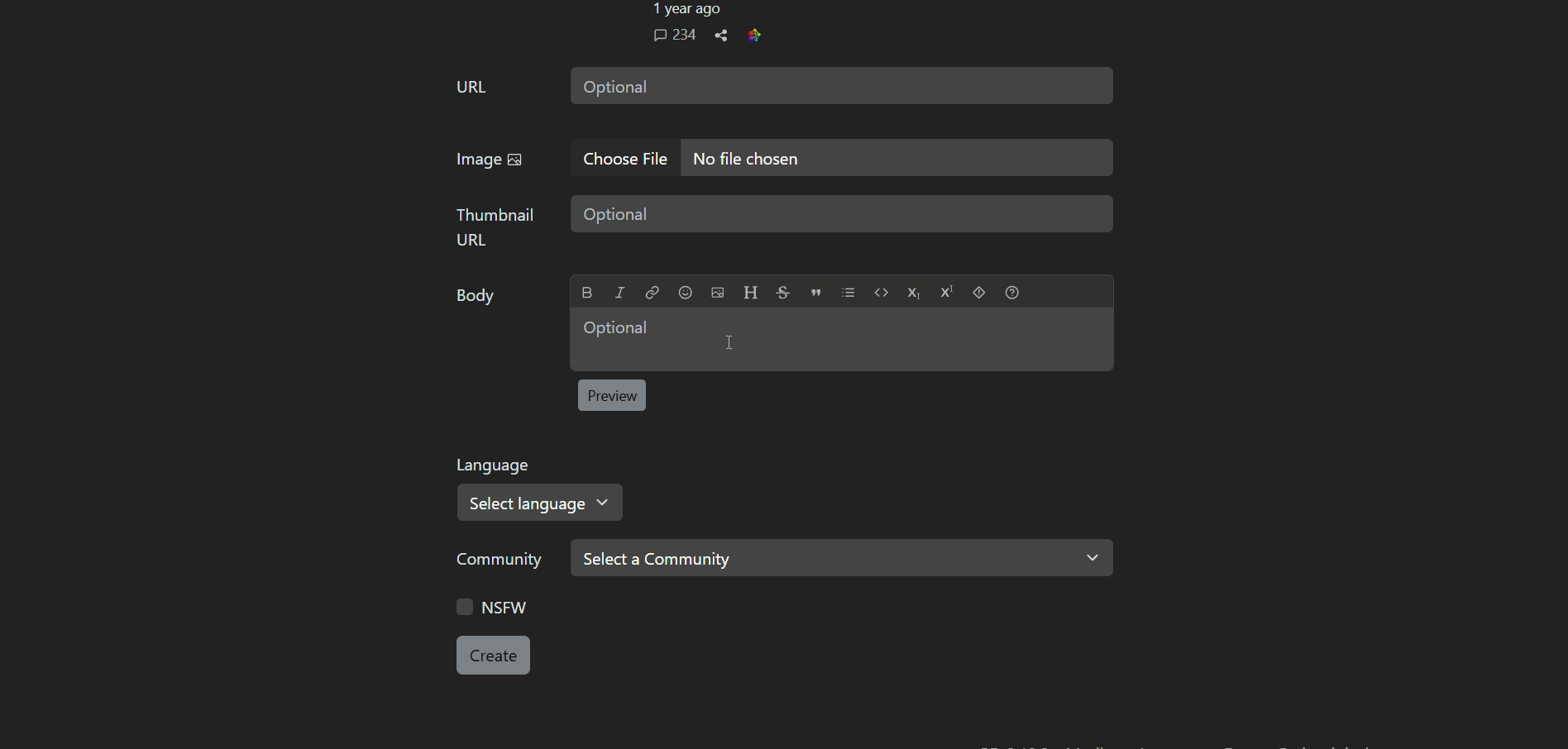  I want to click on Header, so click(750, 292).